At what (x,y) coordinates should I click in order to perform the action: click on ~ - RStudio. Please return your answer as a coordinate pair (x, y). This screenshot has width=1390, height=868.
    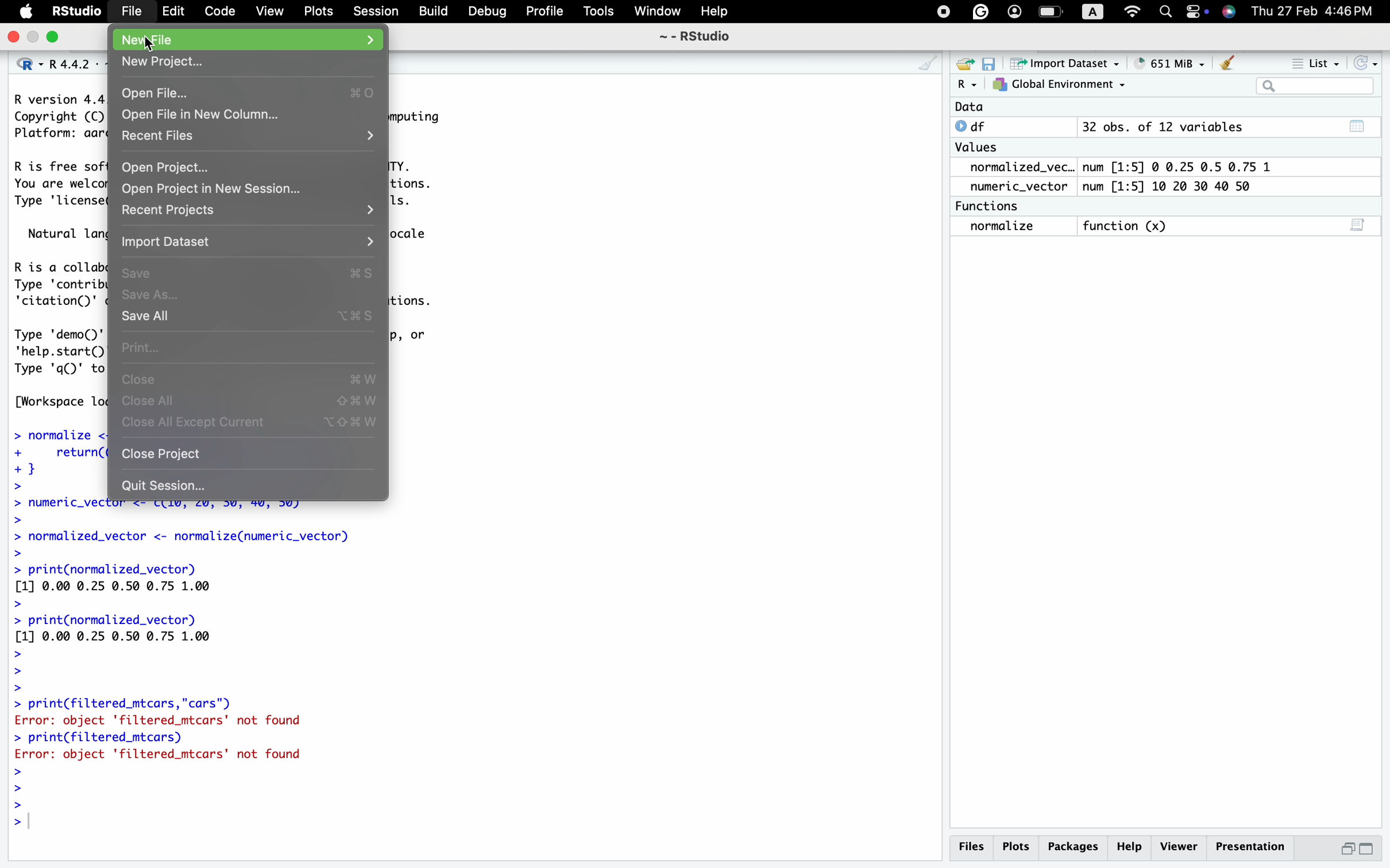
    Looking at the image, I should click on (696, 39).